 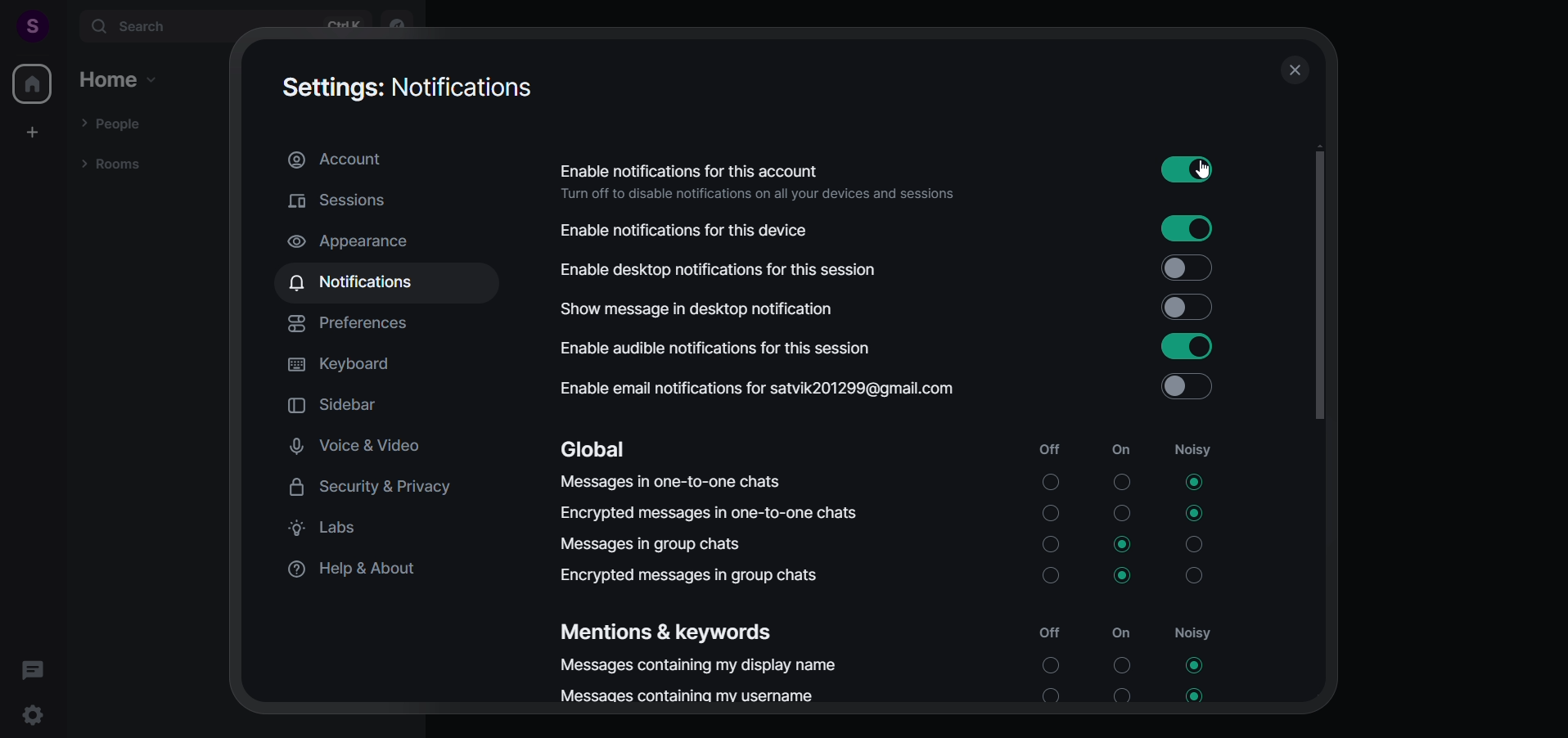 I want to click on mentions and keywords, so click(x=683, y=631).